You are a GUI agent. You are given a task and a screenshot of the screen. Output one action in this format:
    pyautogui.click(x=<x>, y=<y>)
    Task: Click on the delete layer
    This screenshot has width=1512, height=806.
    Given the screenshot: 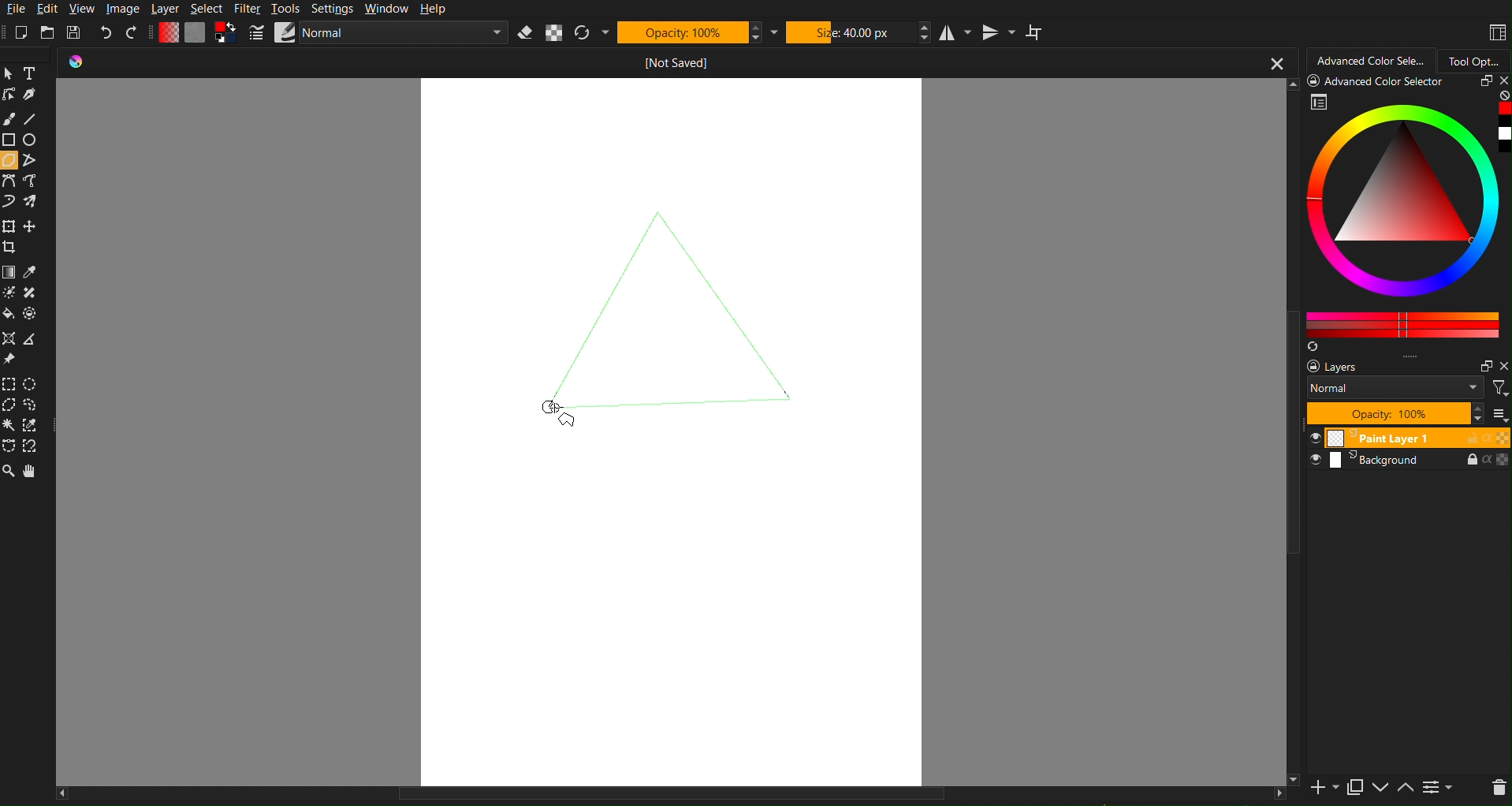 What is the action you would take?
    pyautogui.click(x=1498, y=788)
    